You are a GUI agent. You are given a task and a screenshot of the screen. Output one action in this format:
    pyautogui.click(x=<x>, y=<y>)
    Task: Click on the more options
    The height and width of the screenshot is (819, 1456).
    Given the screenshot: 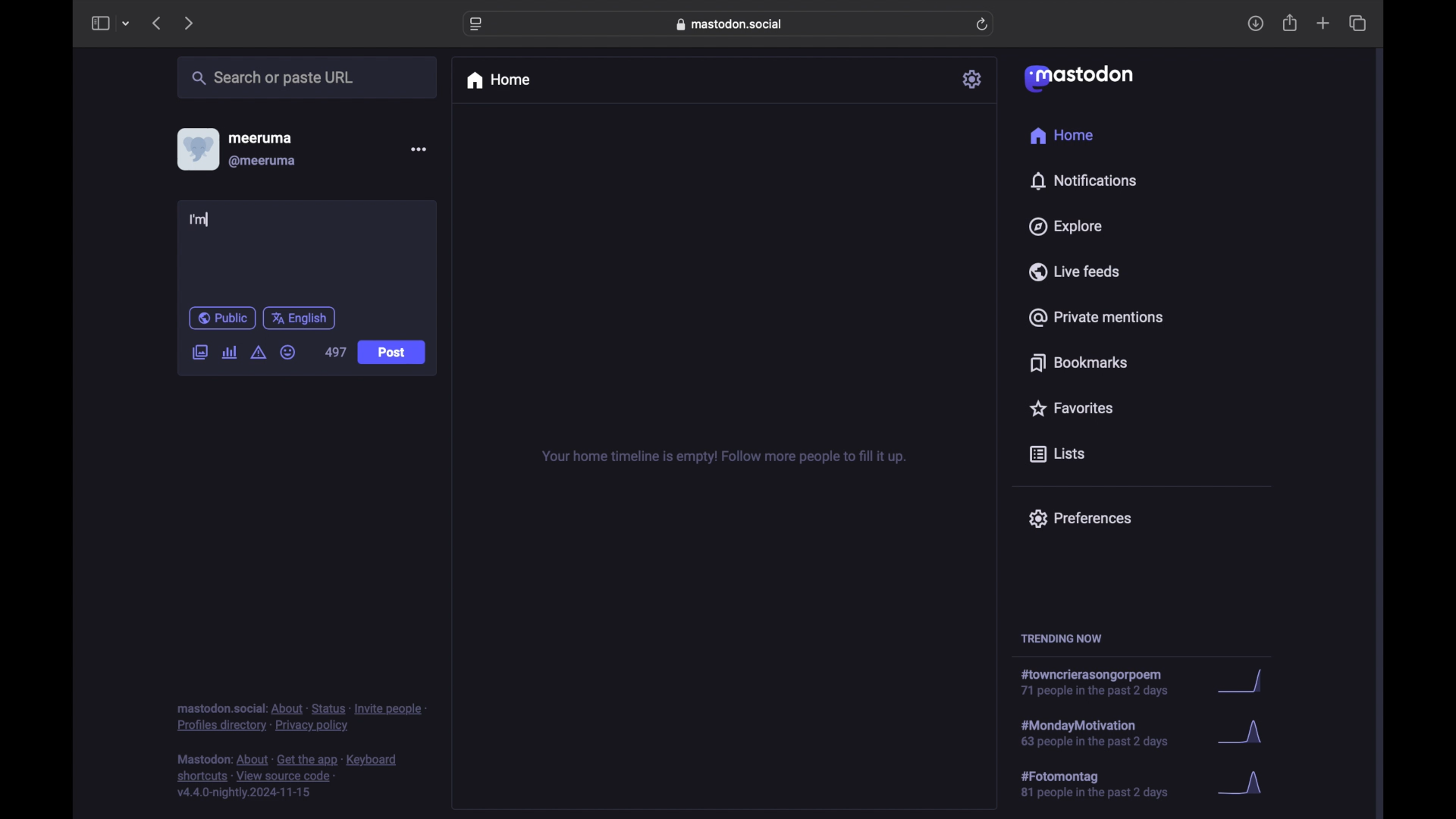 What is the action you would take?
    pyautogui.click(x=418, y=149)
    